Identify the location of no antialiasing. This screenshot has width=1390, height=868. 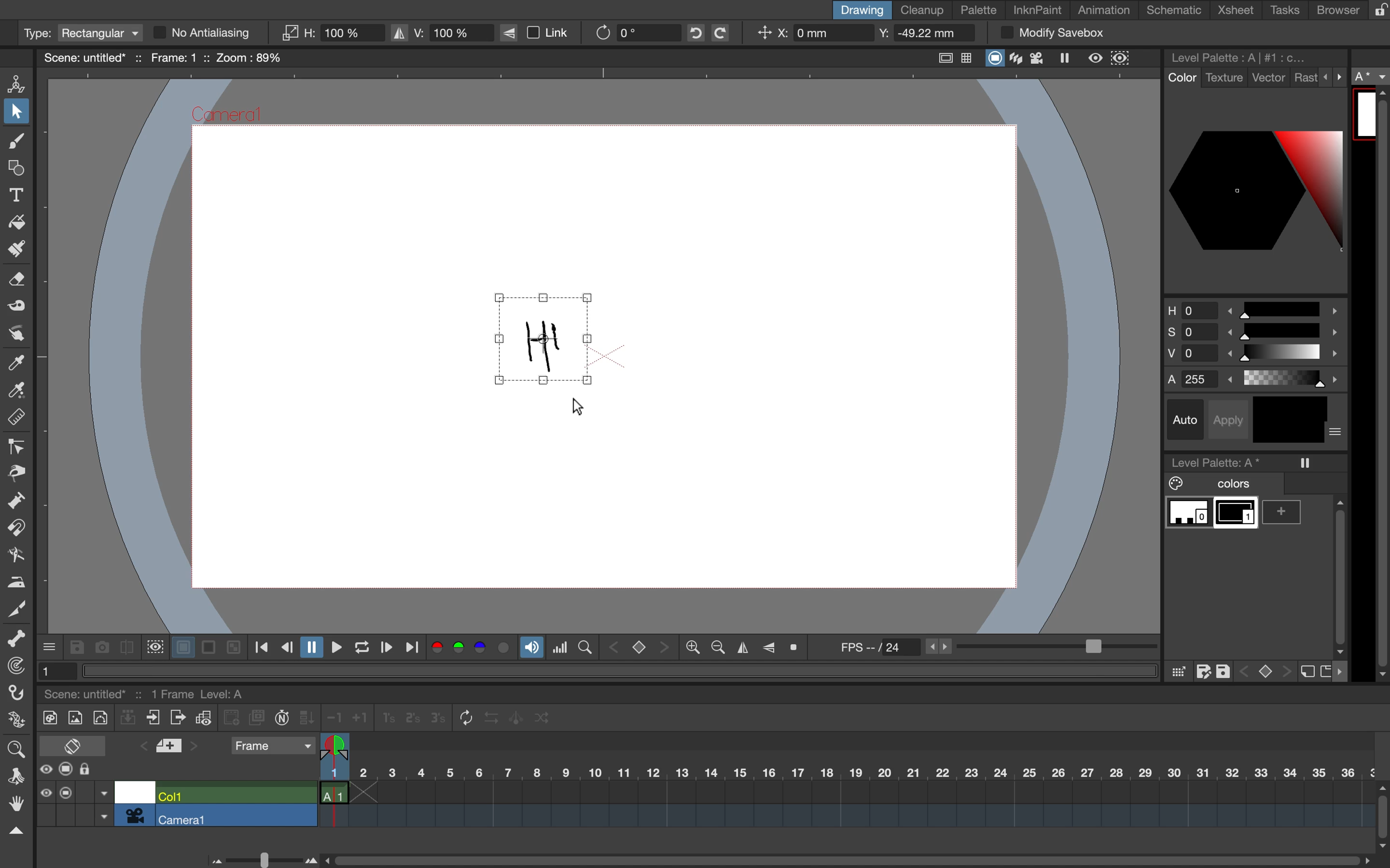
(213, 33).